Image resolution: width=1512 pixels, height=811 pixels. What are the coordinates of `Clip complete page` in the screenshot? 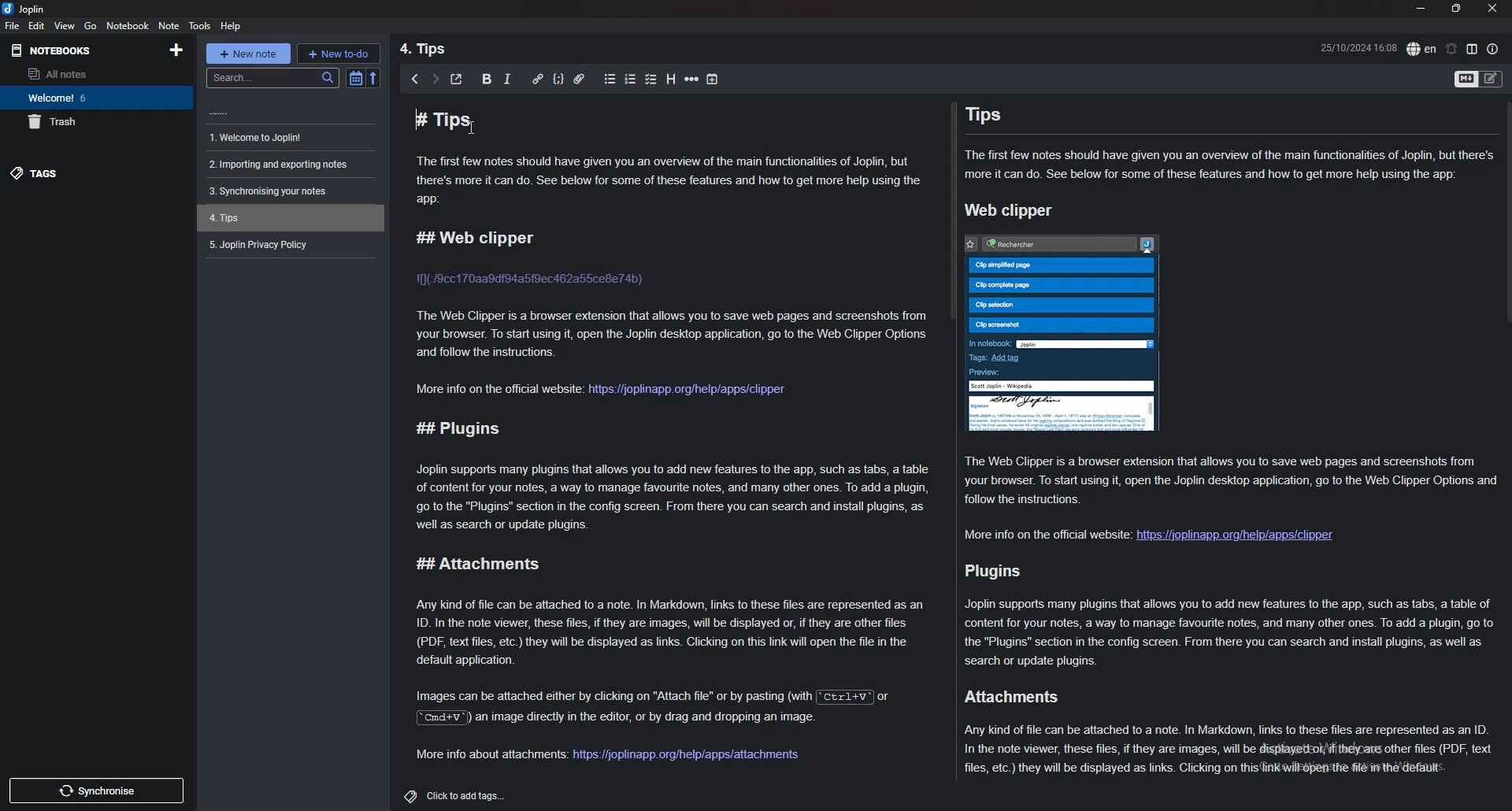 It's located at (1065, 286).